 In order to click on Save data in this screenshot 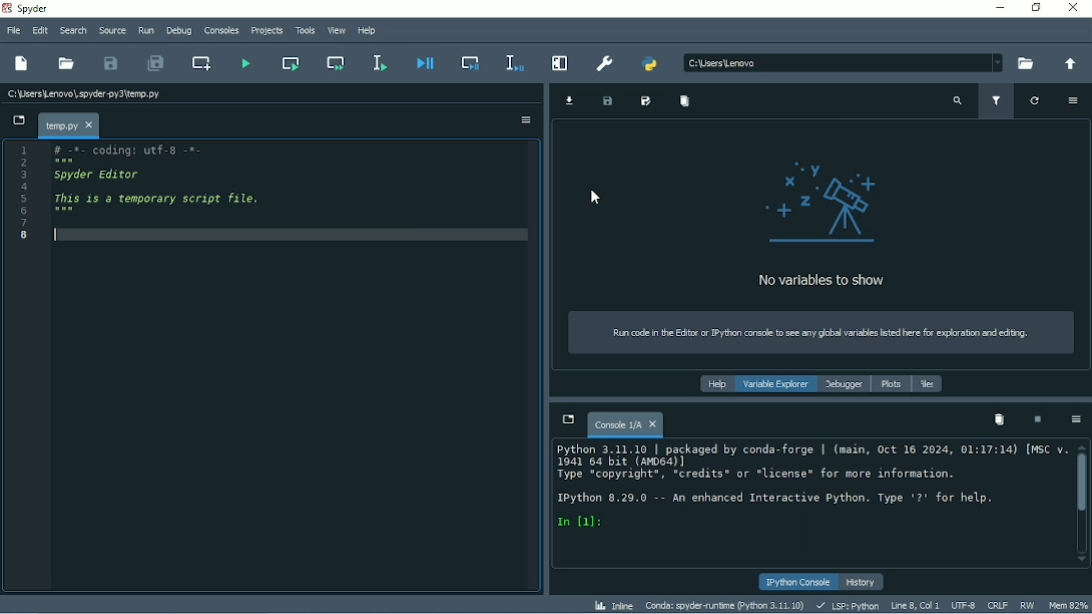, I will do `click(607, 102)`.